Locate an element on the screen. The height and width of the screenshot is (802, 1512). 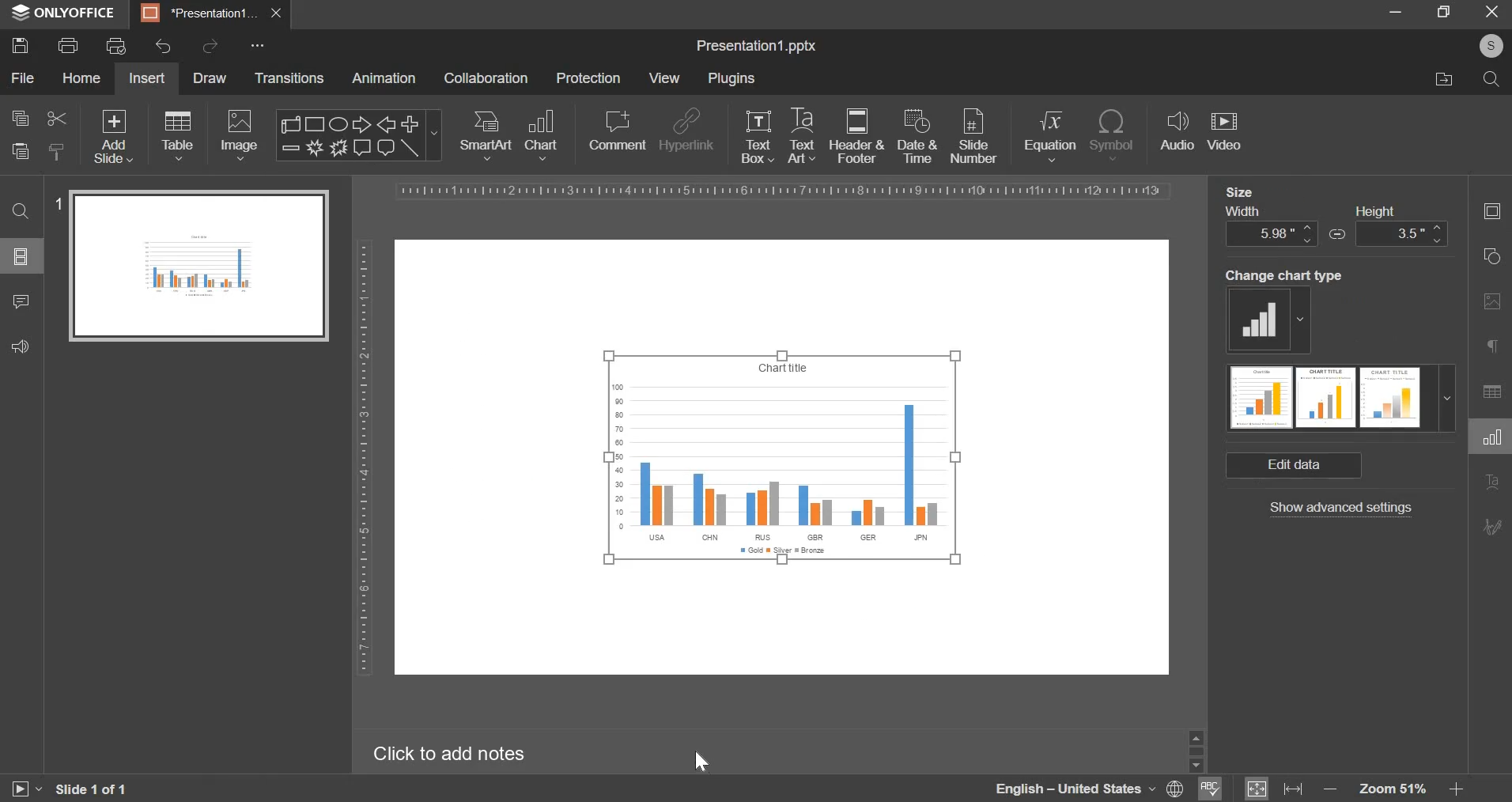
home is located at coordinates (80, 78).